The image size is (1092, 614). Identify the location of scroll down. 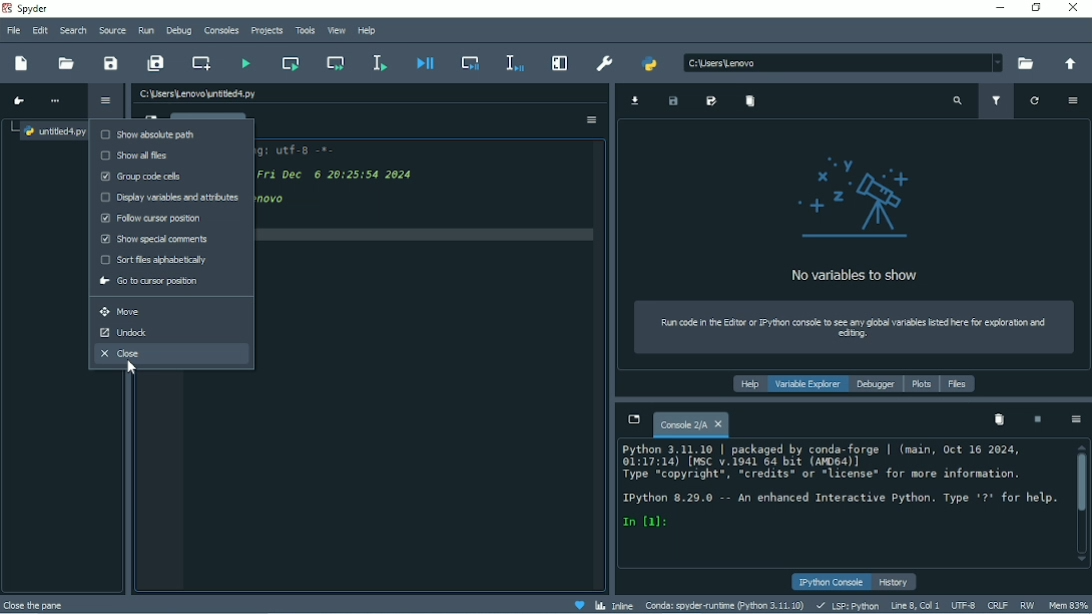
(1078, 560).